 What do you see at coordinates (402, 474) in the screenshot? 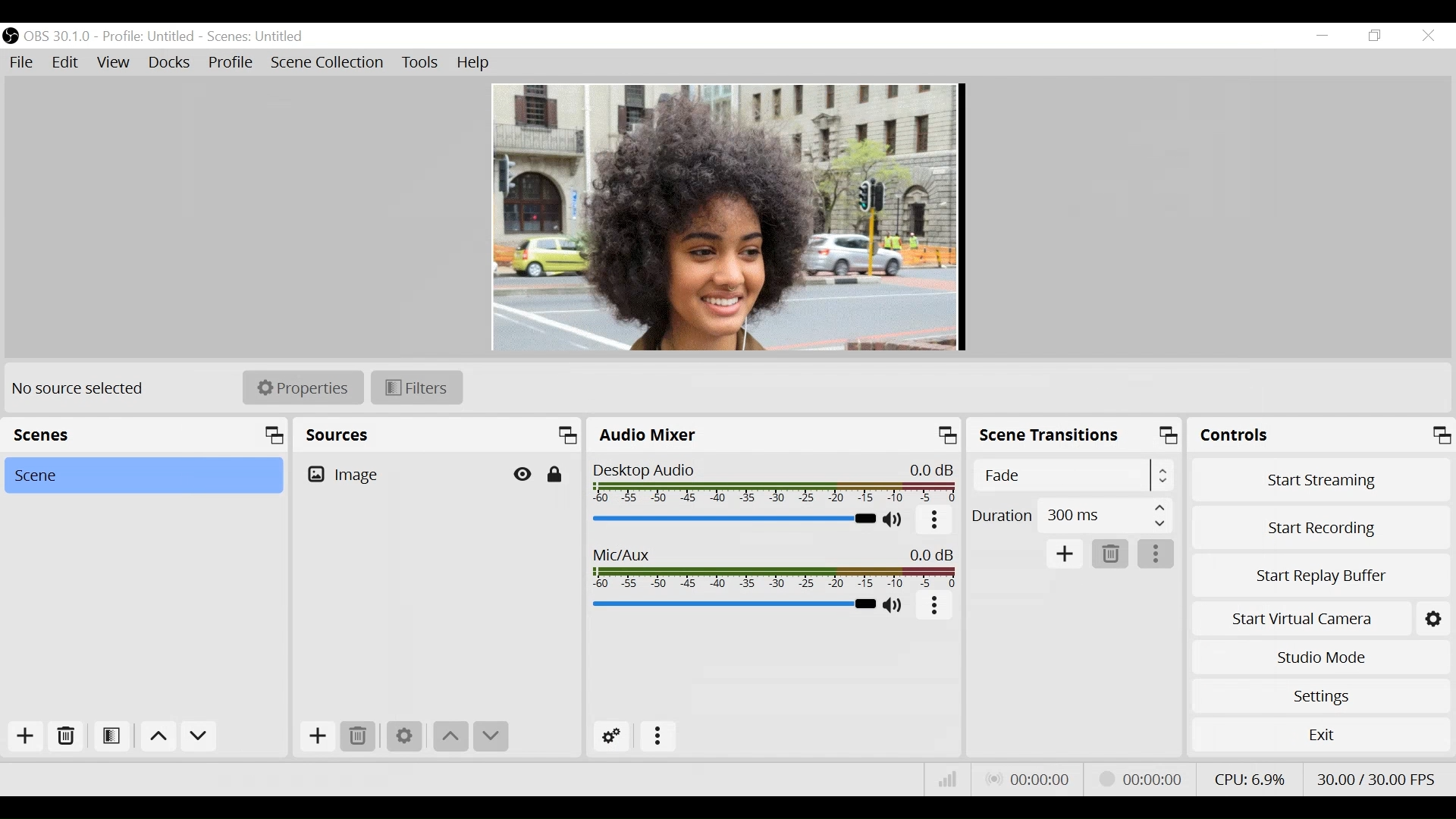
I see `Image` at bounding box center [402, 474].